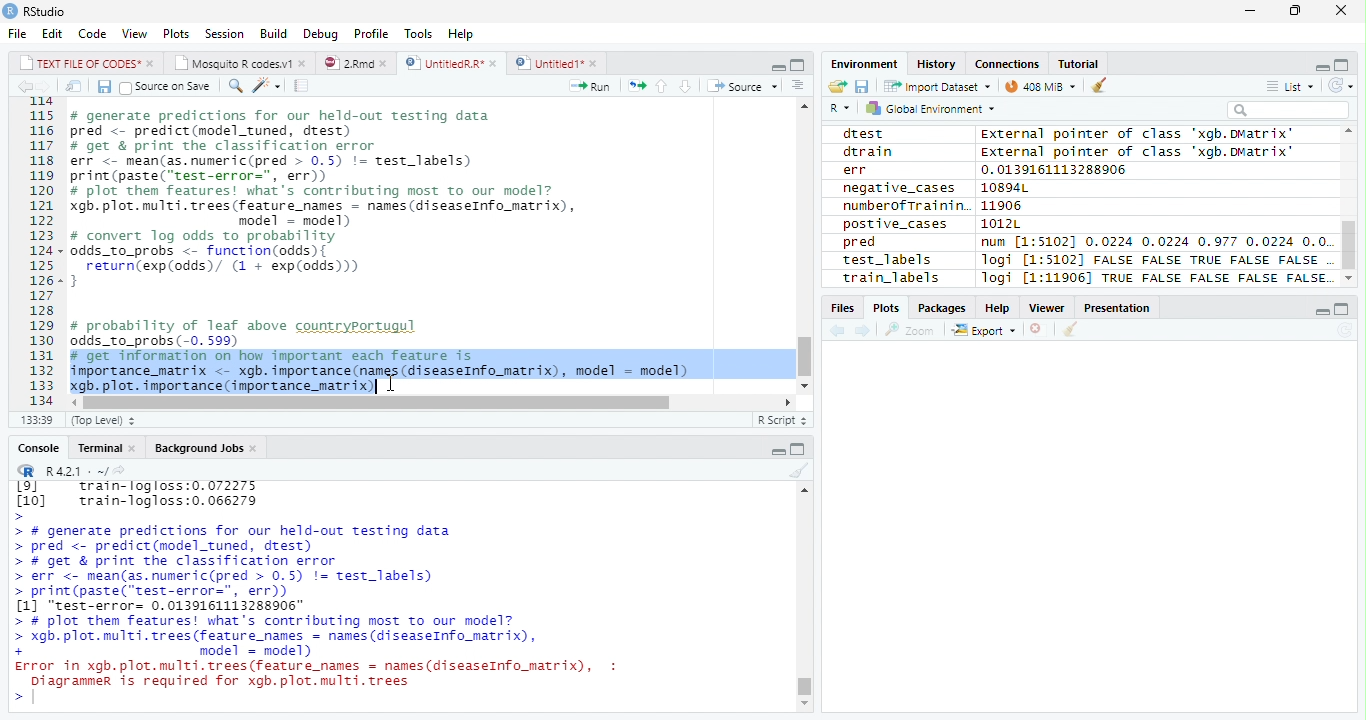 The width and height of the screenshot is (1366, 720). I want to click on Background Jobs, so click(206, 447).